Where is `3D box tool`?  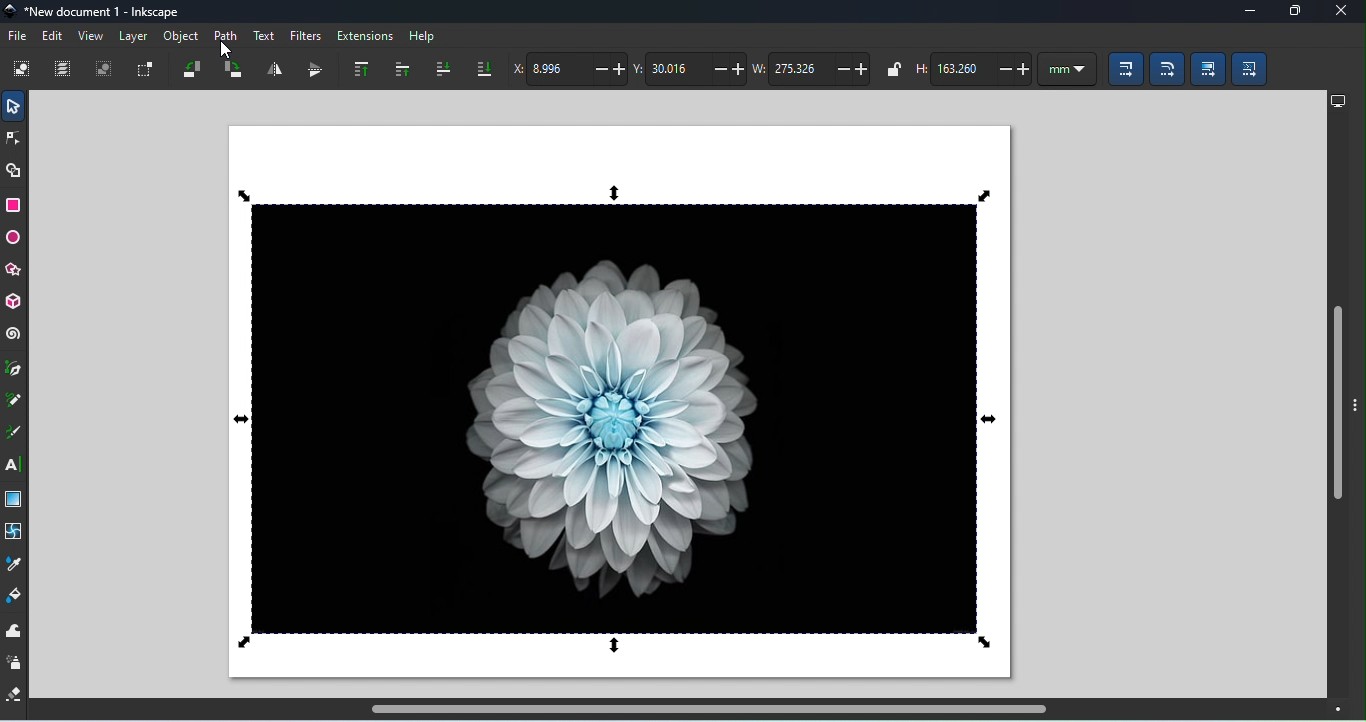
3D box tool is located at coordinates (13, 302).